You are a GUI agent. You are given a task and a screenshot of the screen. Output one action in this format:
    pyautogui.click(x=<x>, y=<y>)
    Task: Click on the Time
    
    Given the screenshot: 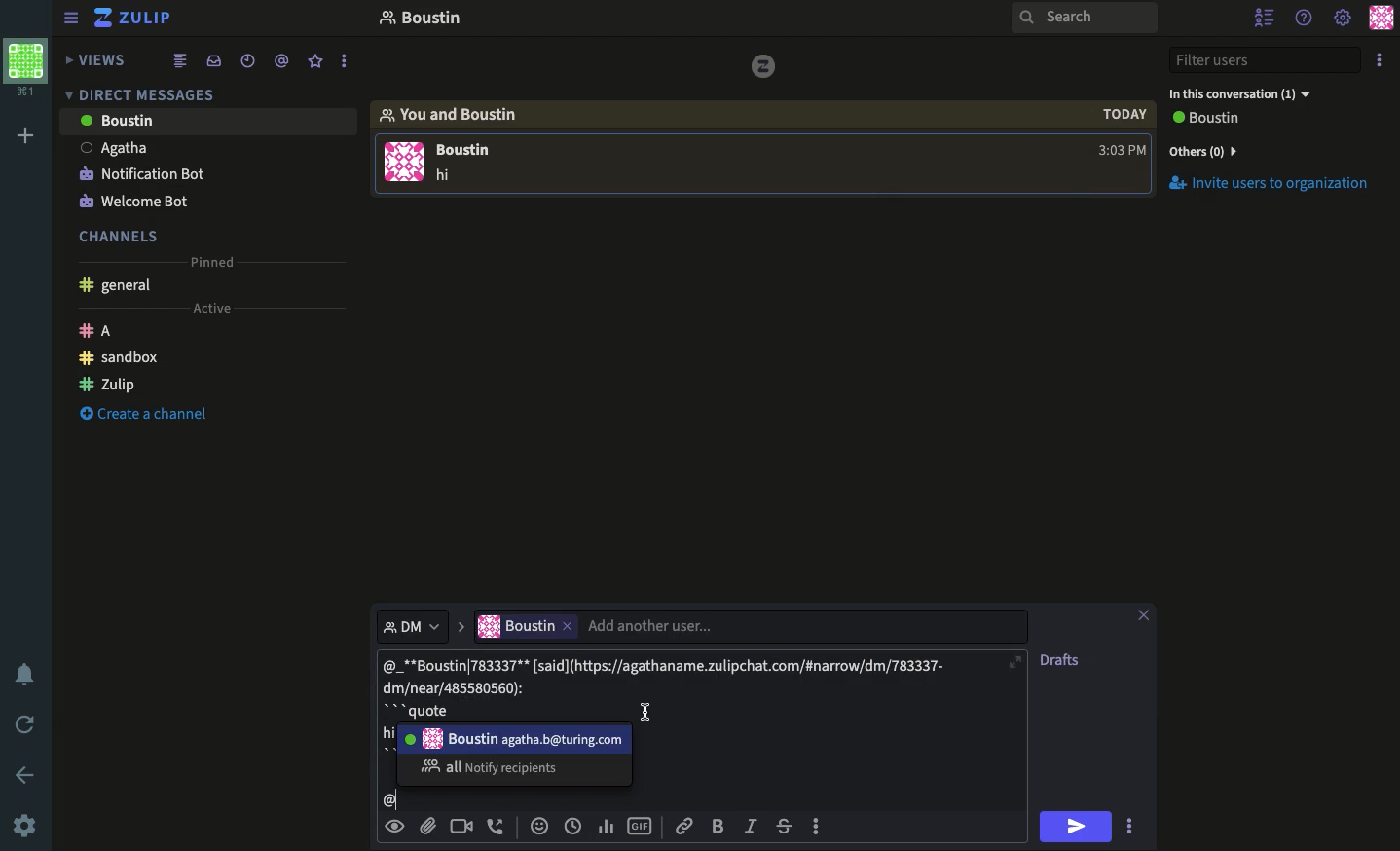 What is the action you would take?
    pyautogui.click(x=573, y=826)
    